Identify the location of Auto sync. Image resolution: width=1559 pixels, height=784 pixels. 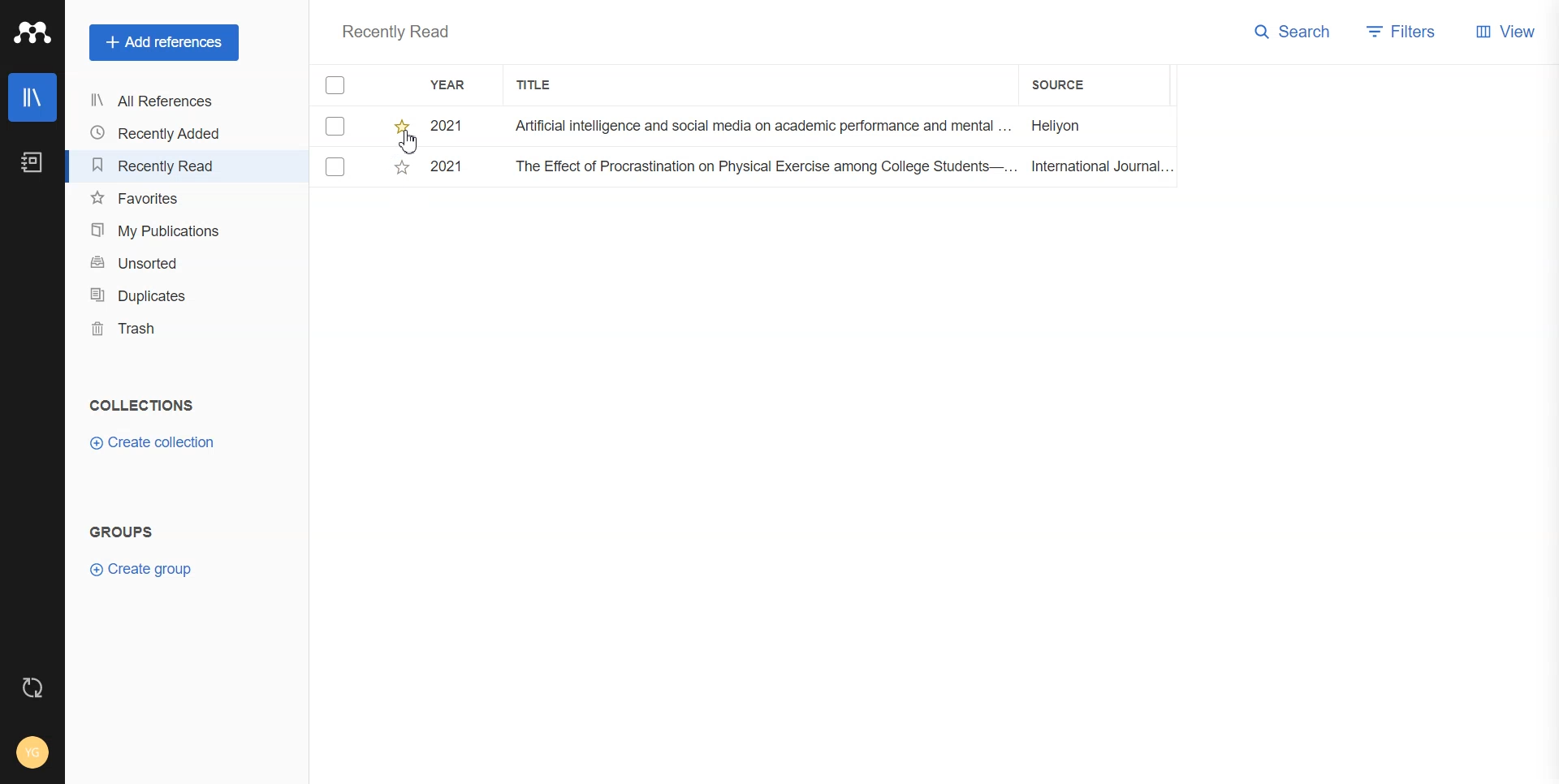
(32, 687).